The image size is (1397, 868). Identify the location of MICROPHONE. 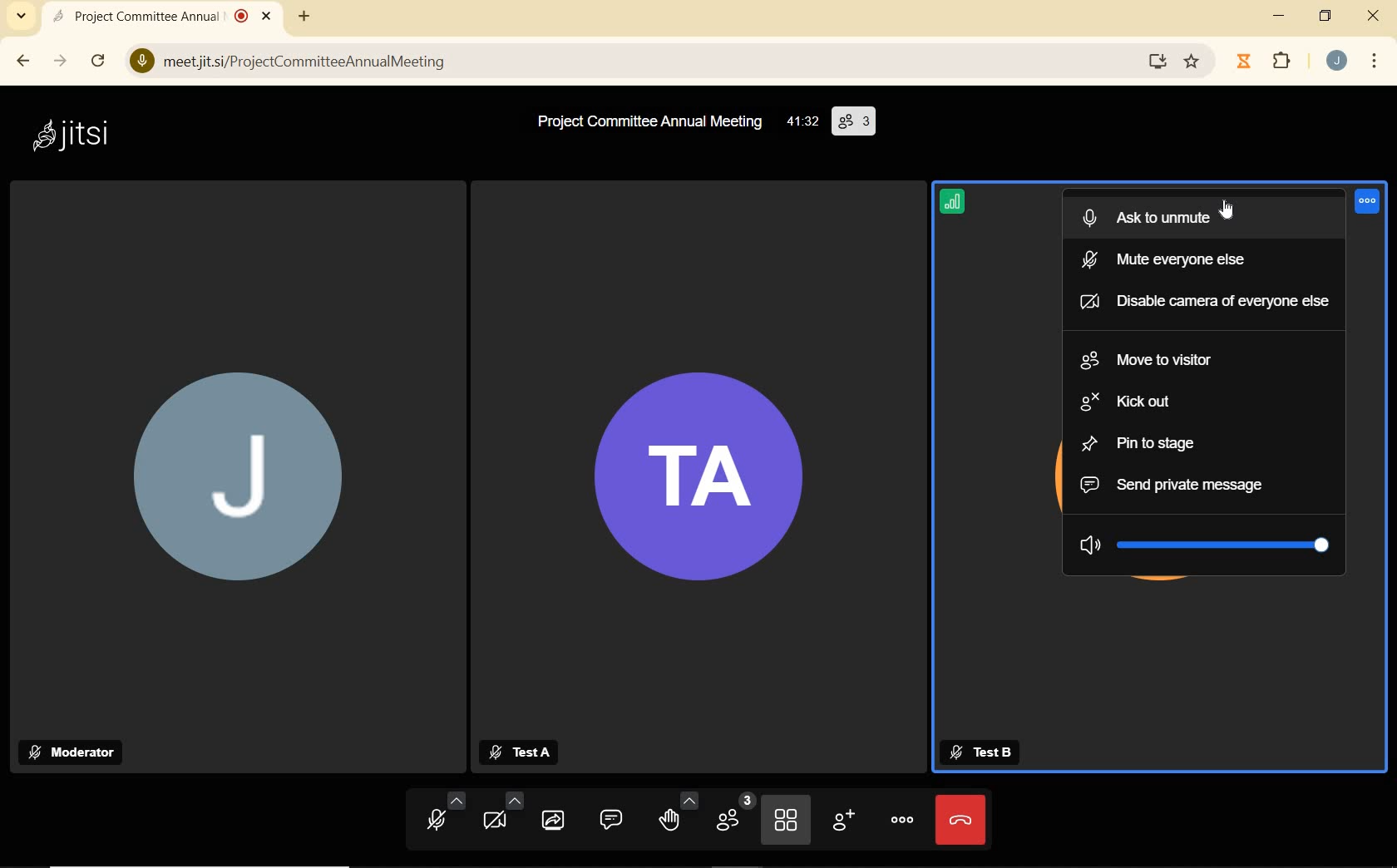
(447, 815).